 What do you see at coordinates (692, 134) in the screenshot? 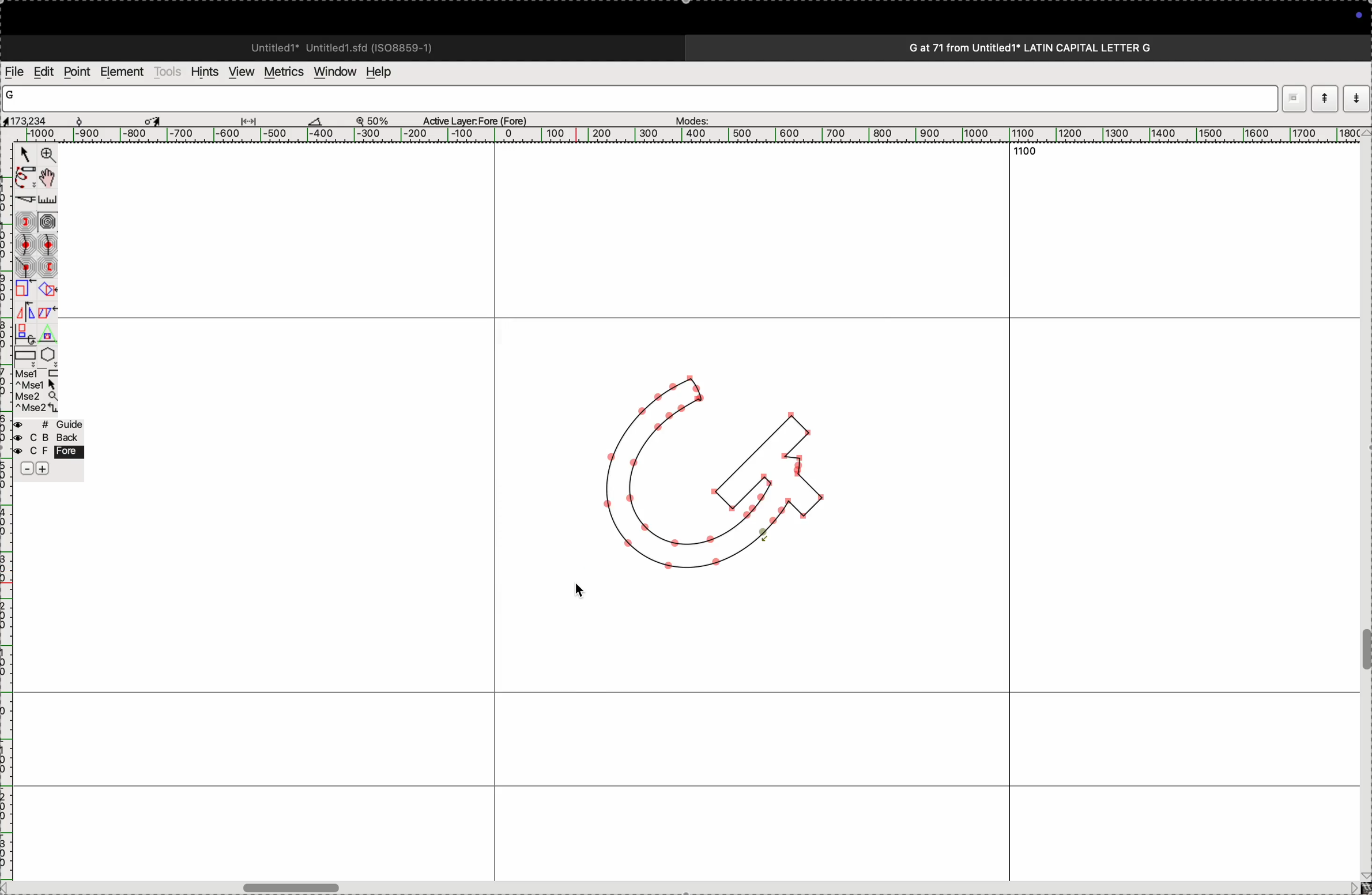
I see `scale` at bounding box center [692, 134].